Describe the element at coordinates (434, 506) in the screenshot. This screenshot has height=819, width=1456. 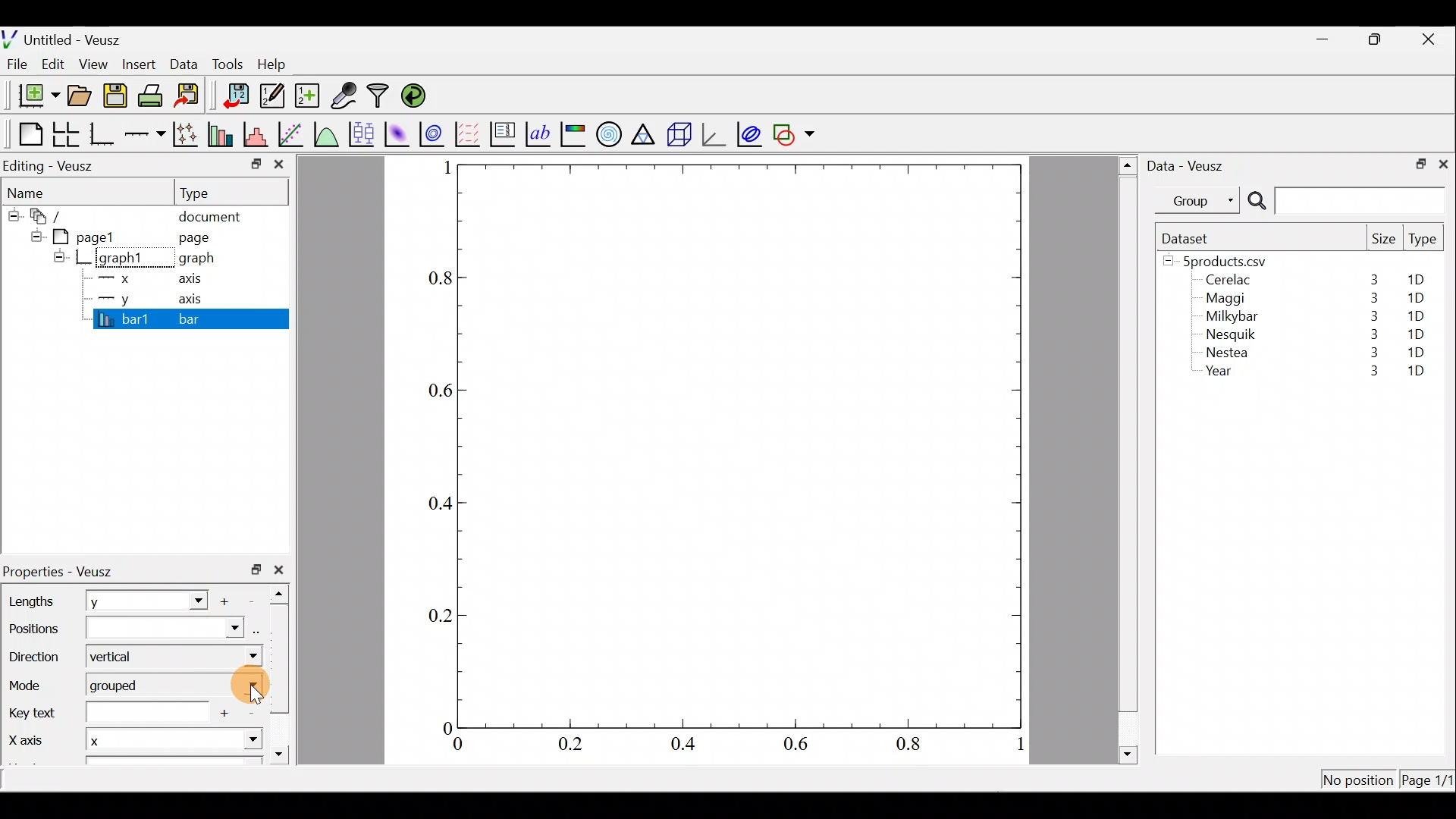
I see `04` at that location.